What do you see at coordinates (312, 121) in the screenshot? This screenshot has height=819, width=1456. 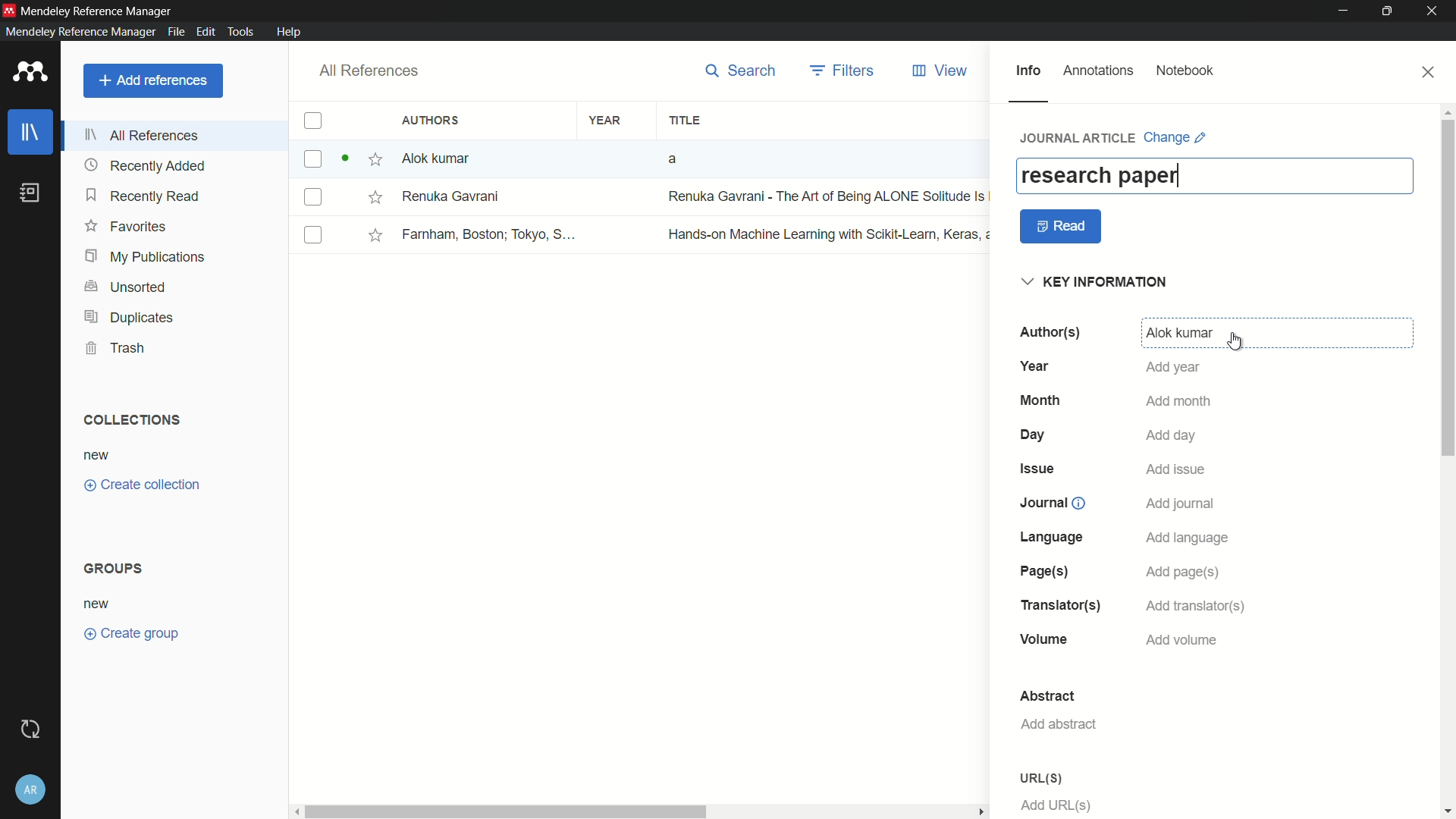 I see `checkbox` at bounding box center [312, 121].